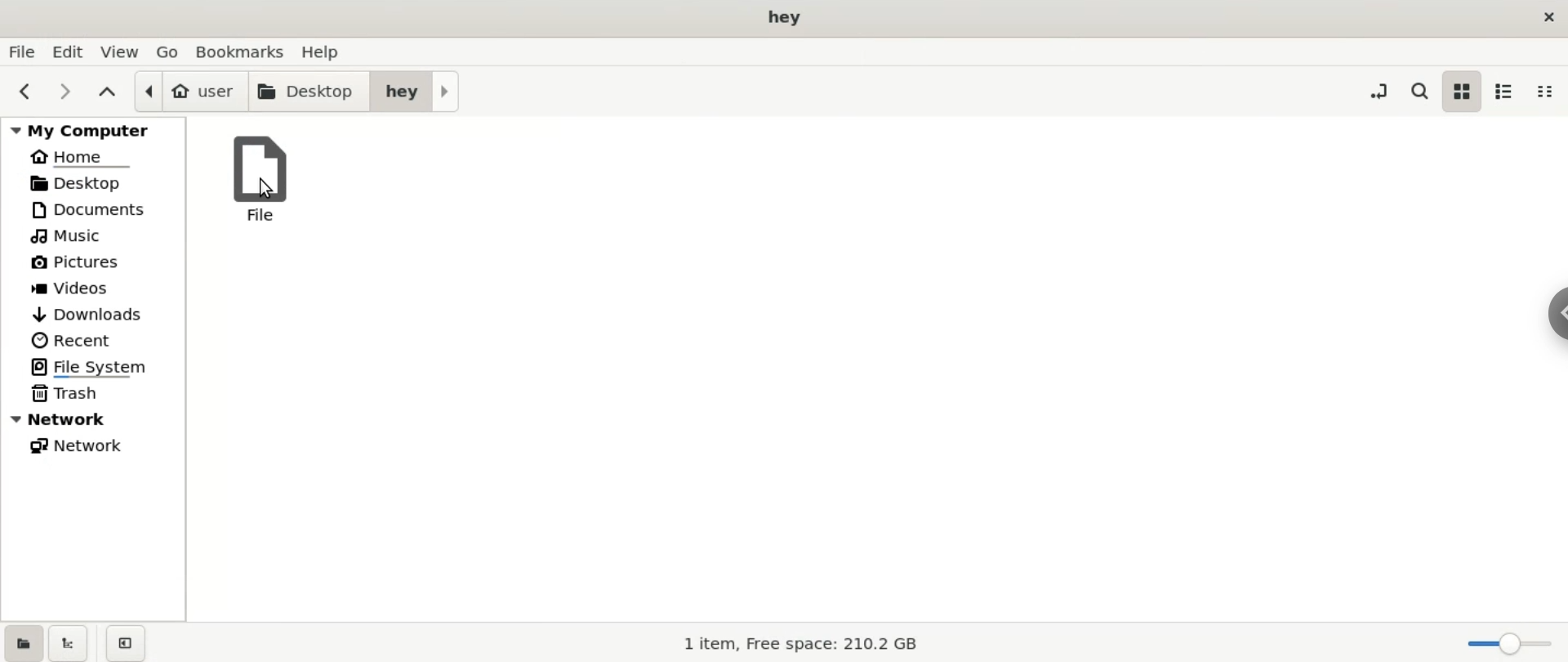  I want to click on zoom, so click(1507, 646).